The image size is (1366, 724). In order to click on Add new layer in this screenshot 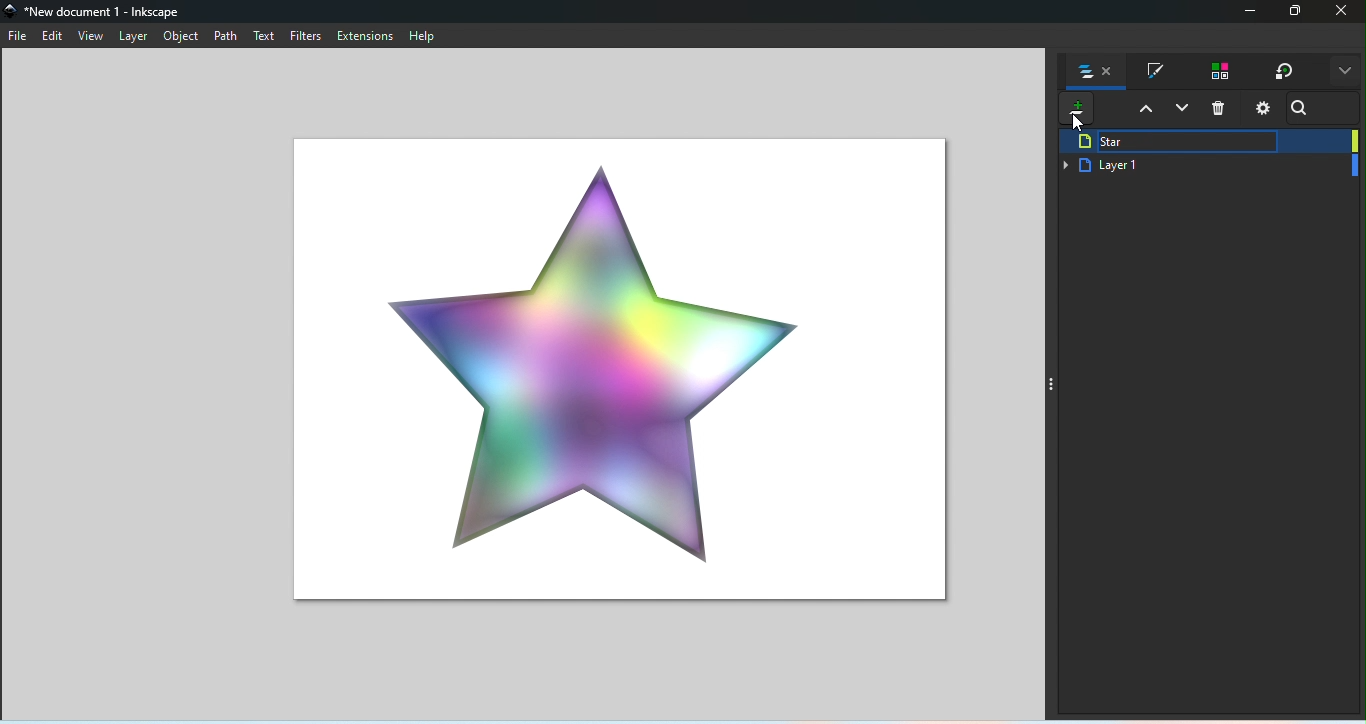, I will do `click(1073, 111)`.